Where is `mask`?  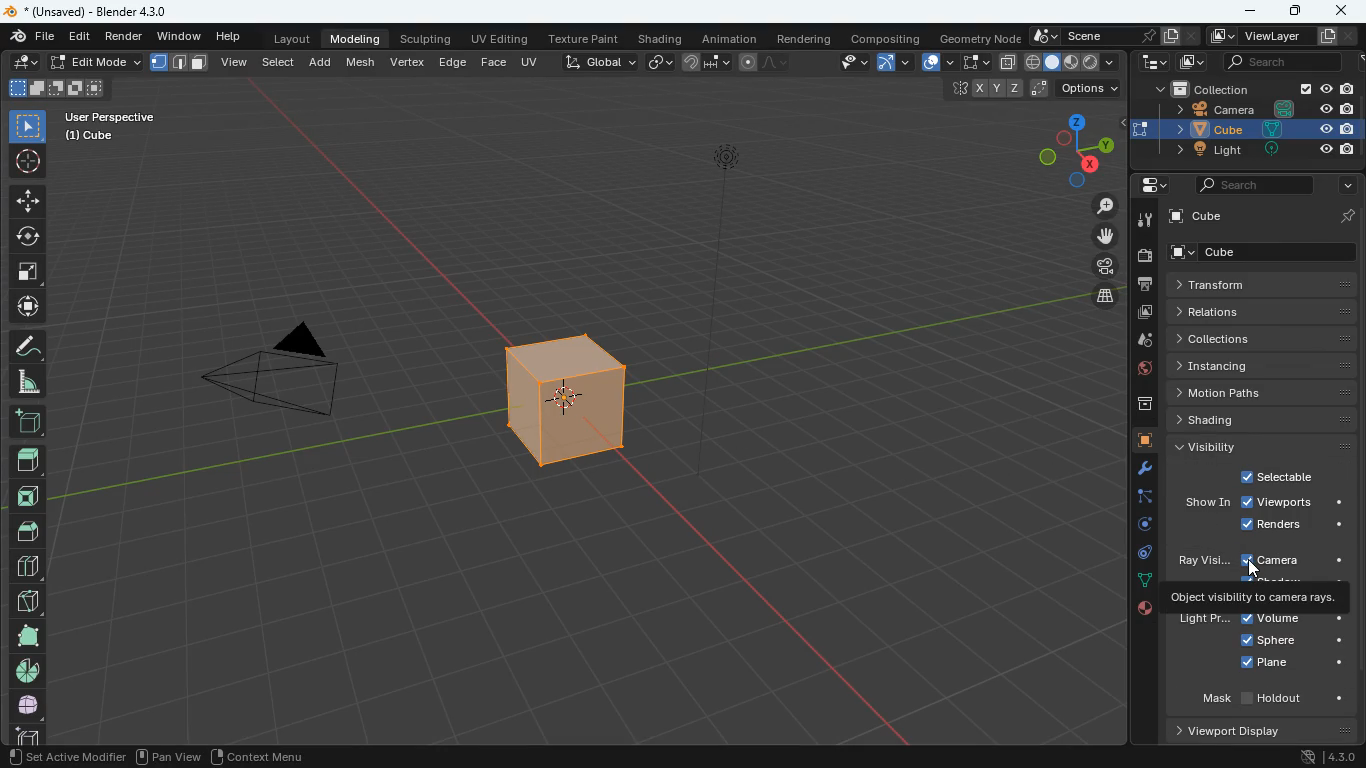
mask is located at coordinates (1271, 697).